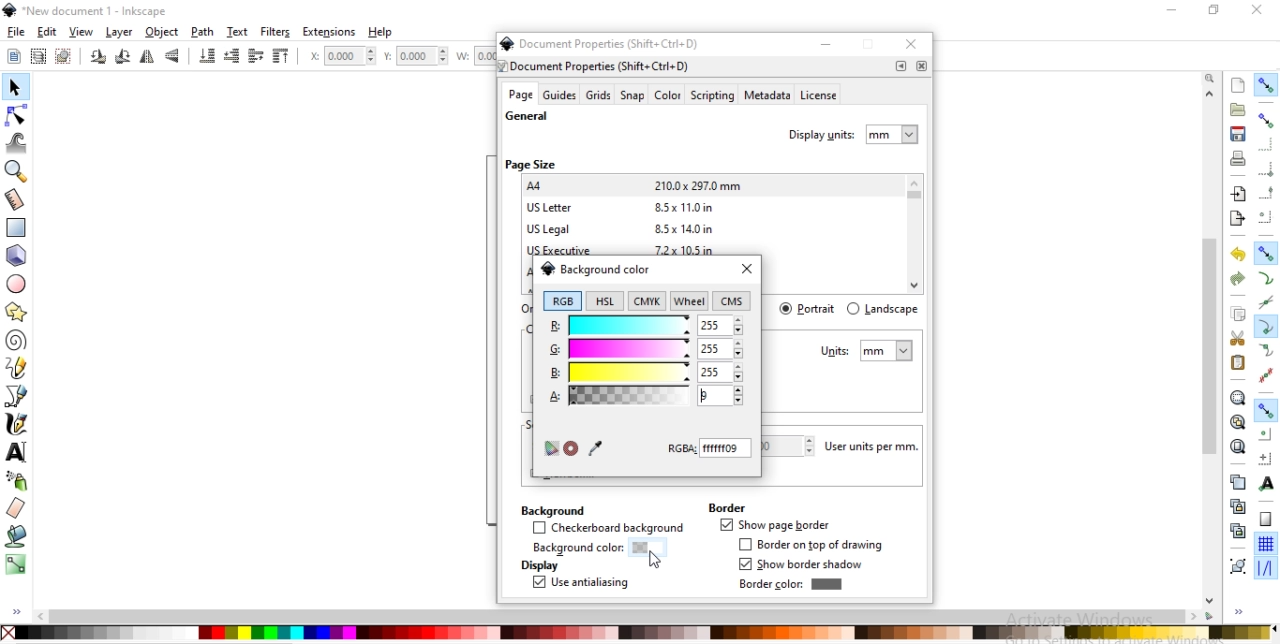 The width and height of the screenshot is (1280, 644). I want to click on vertical coordinate of selection, so click(418, 56).